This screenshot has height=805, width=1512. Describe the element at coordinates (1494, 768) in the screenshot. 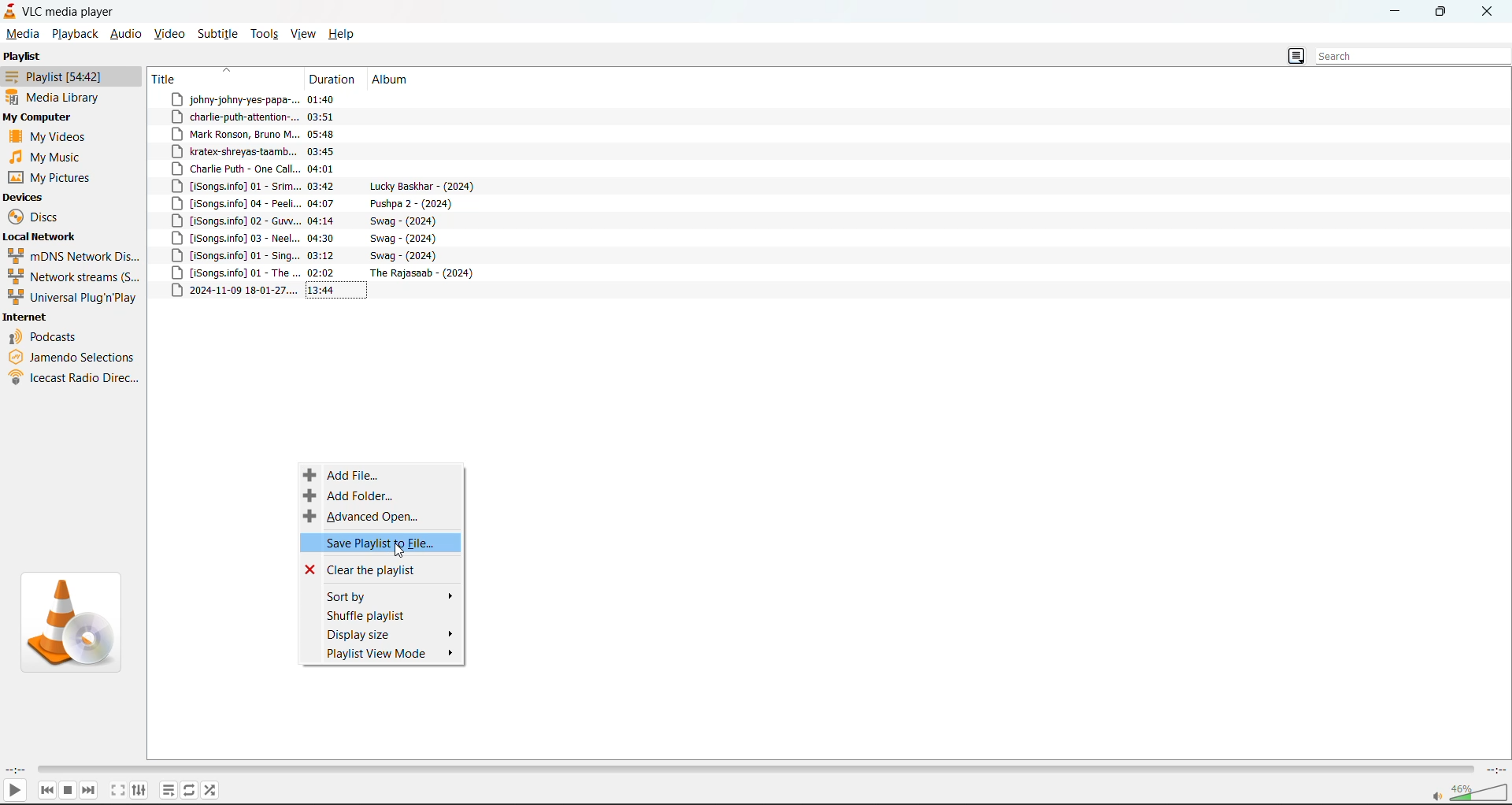

I see `total track time` at that location.